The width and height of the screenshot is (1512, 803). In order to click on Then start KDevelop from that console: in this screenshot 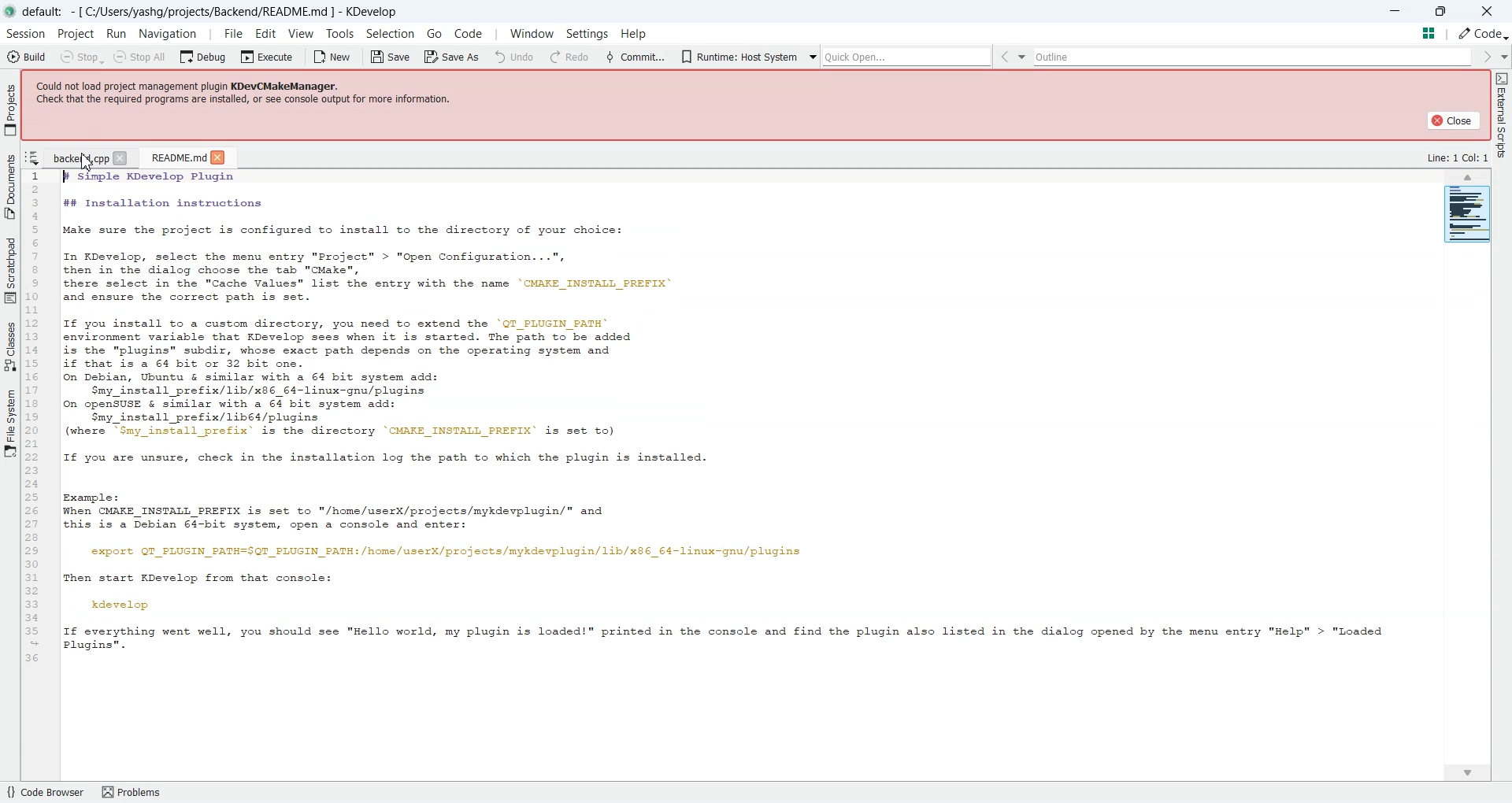, I will do `click(202, 577)`.